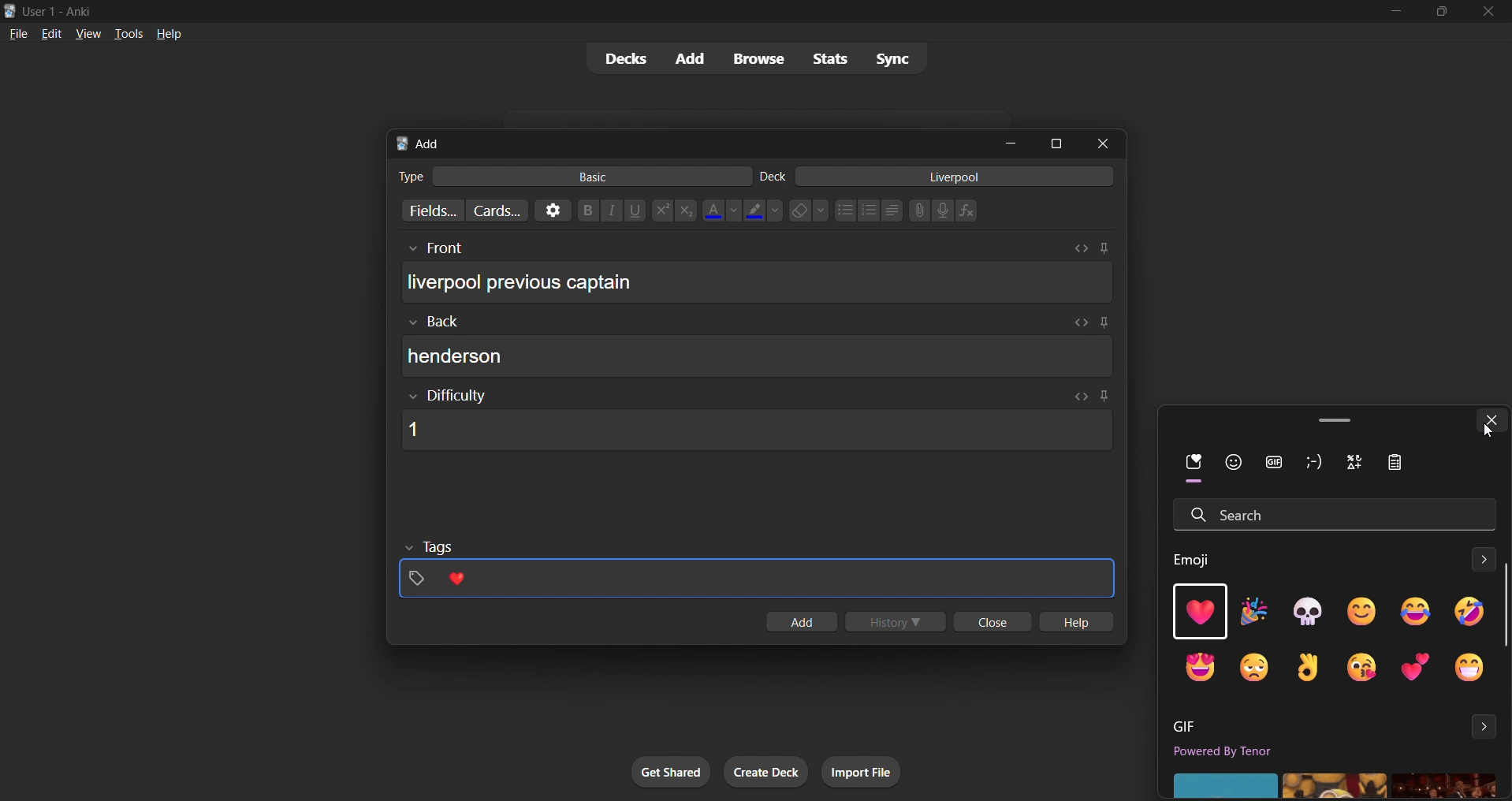 The height and width of the screenshot is (801, 1512). I want to click on GIF, so click(1187, 727).